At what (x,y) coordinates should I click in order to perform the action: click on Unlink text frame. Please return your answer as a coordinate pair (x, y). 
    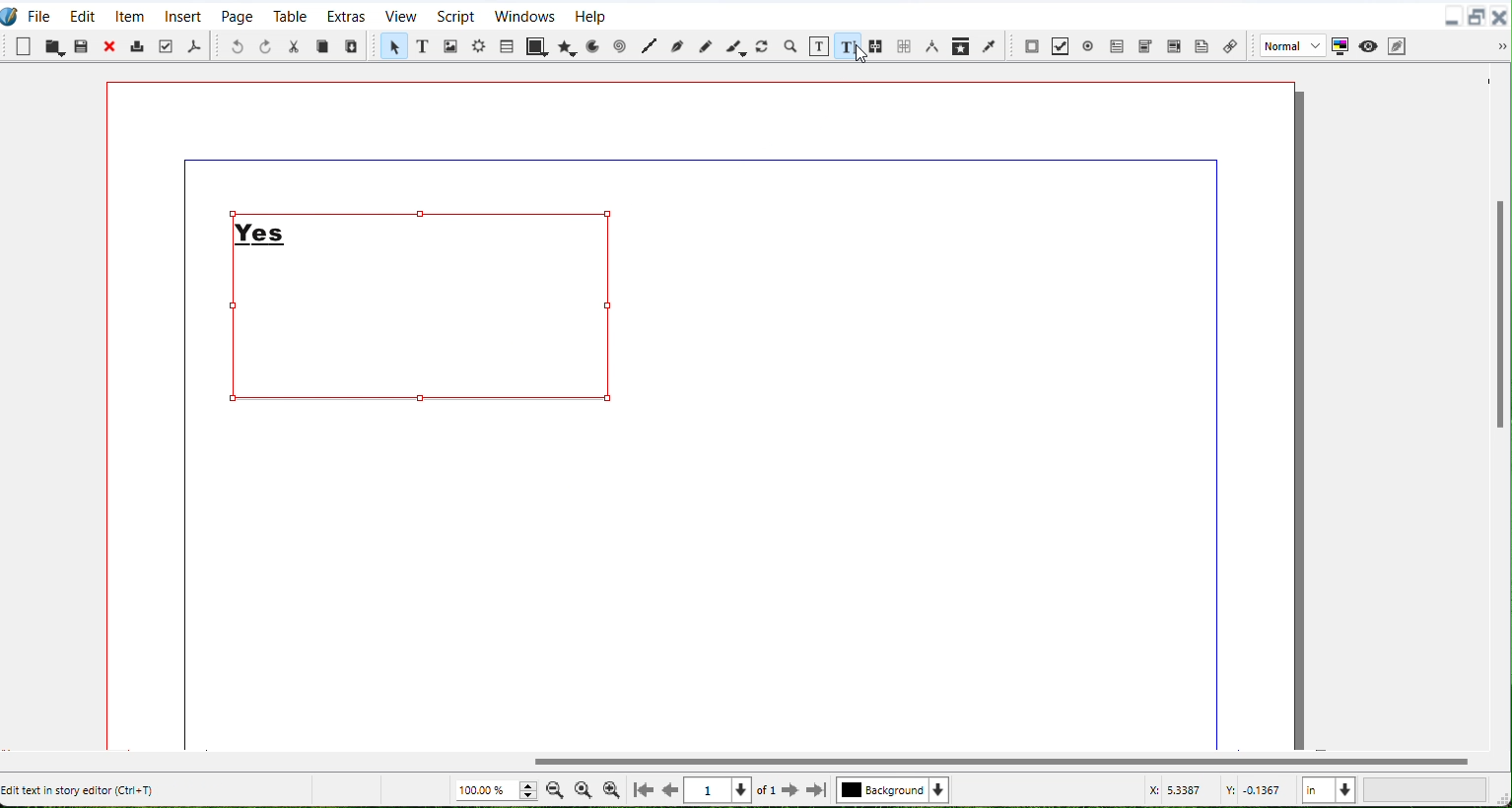
    Looking at the image, I should click on (904, 45).